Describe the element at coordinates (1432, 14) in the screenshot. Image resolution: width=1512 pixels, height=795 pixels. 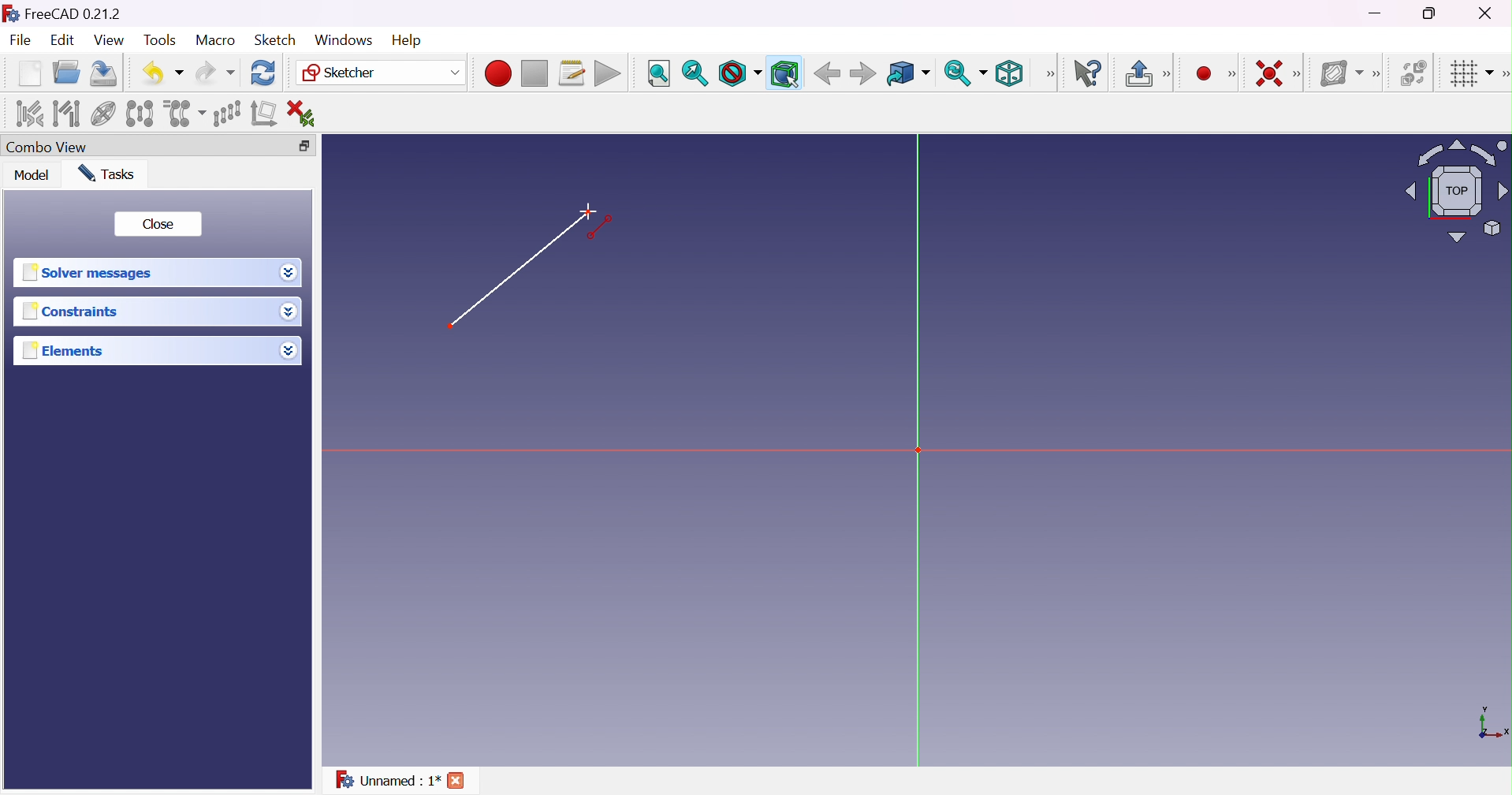
I see `Restore down` at that location.